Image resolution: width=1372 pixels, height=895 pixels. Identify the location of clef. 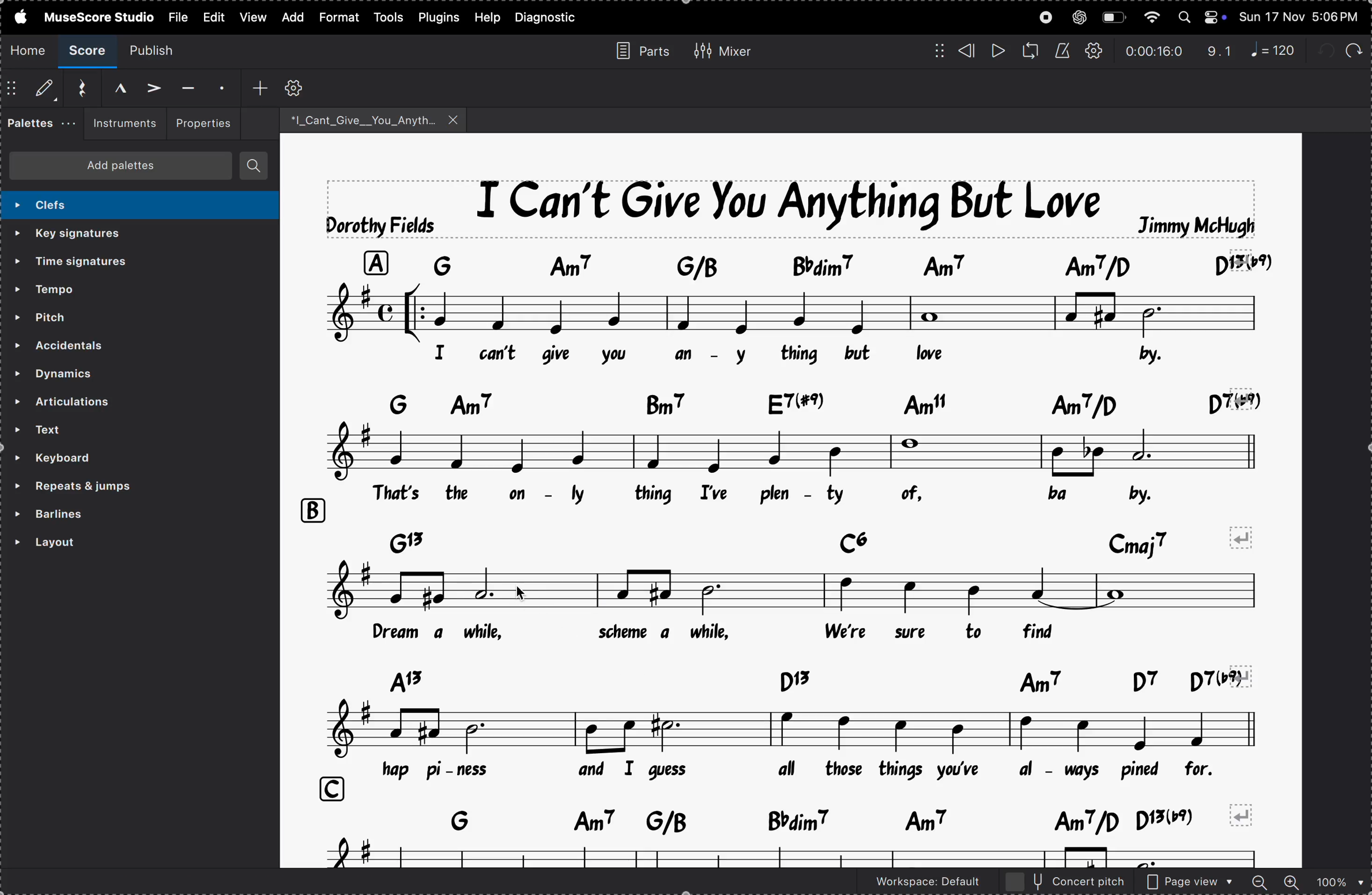
(133, 205).